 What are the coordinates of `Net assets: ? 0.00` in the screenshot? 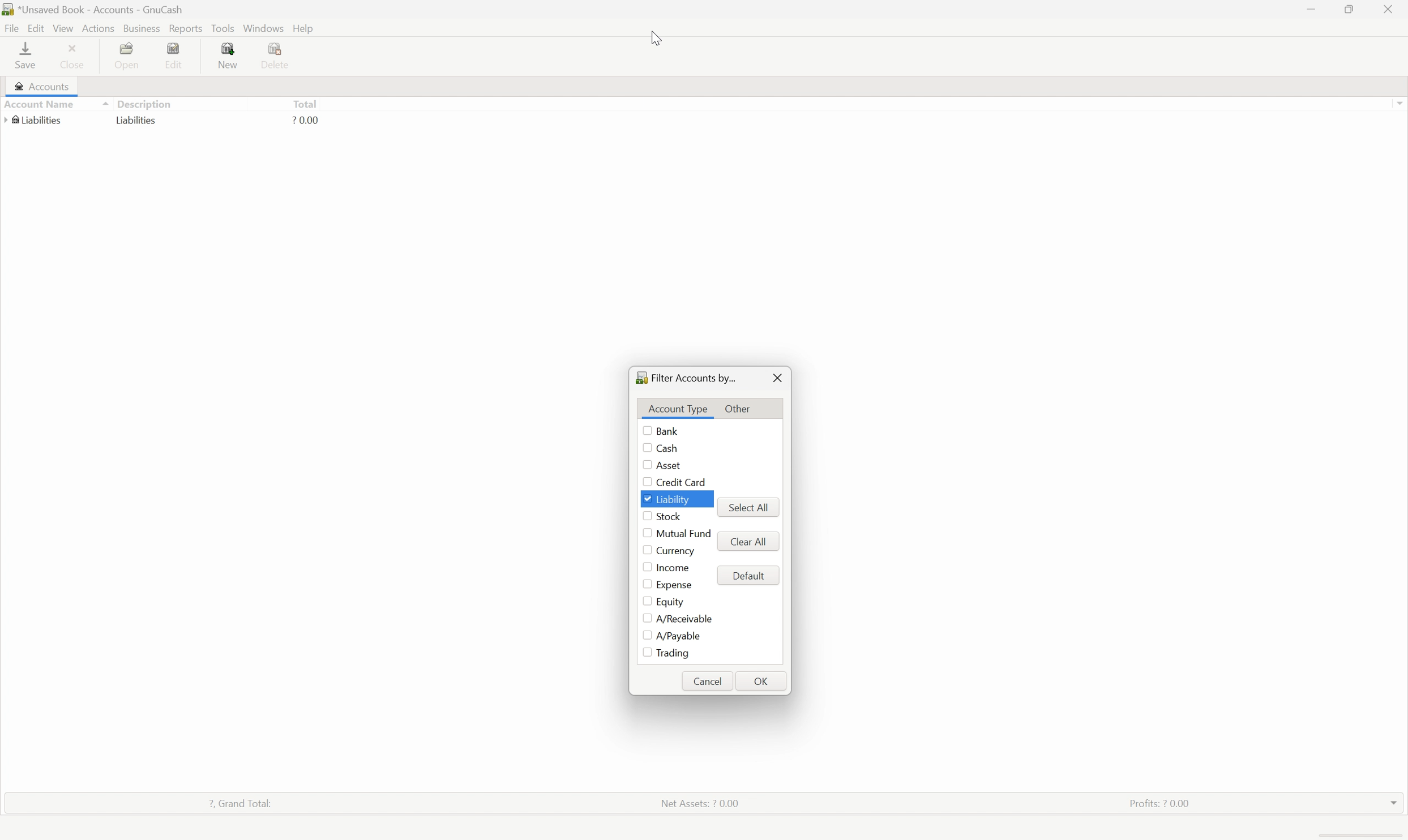 It's located at (700, 804).